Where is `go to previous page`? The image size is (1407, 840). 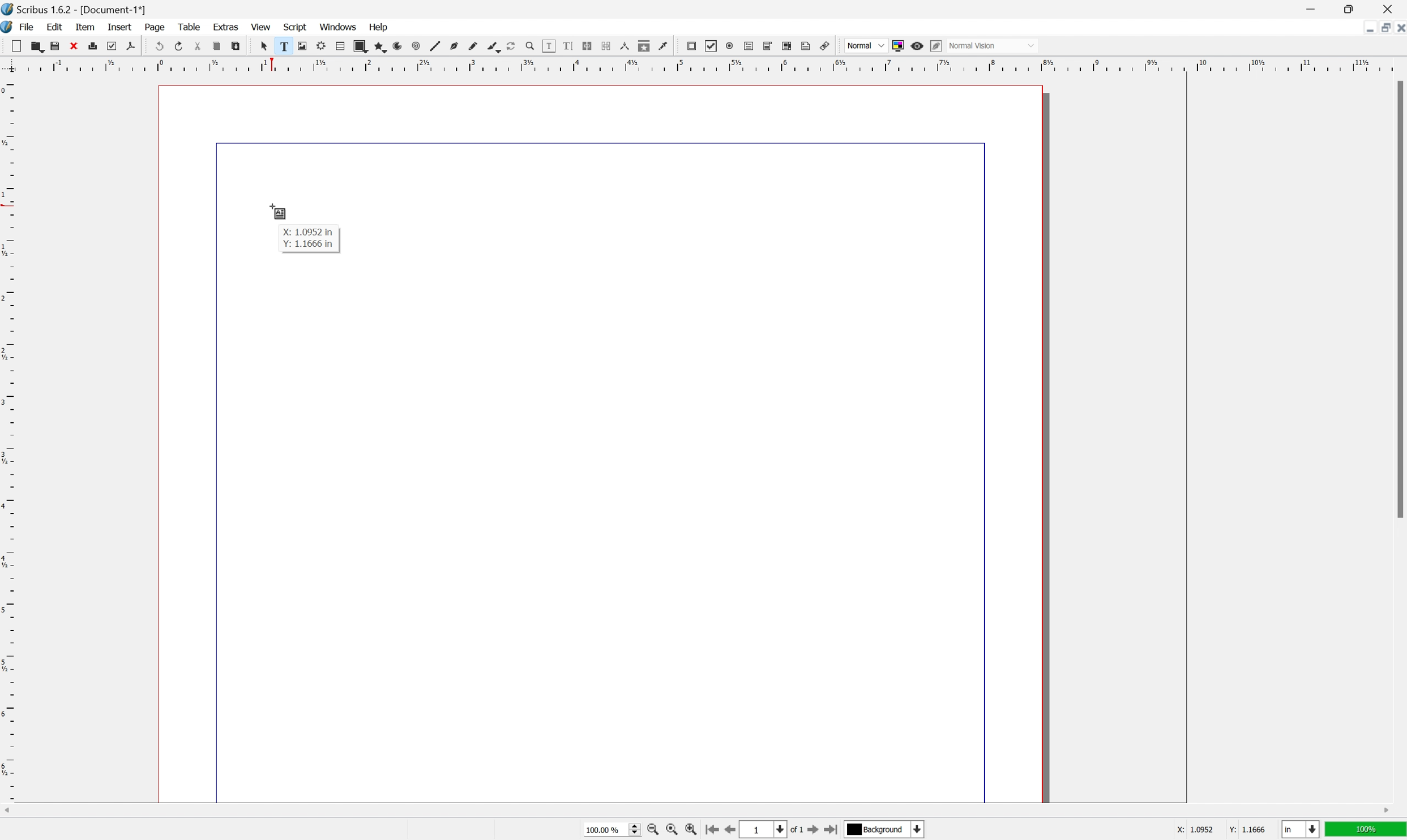 go to previous page is located at coordinates (728, 831).